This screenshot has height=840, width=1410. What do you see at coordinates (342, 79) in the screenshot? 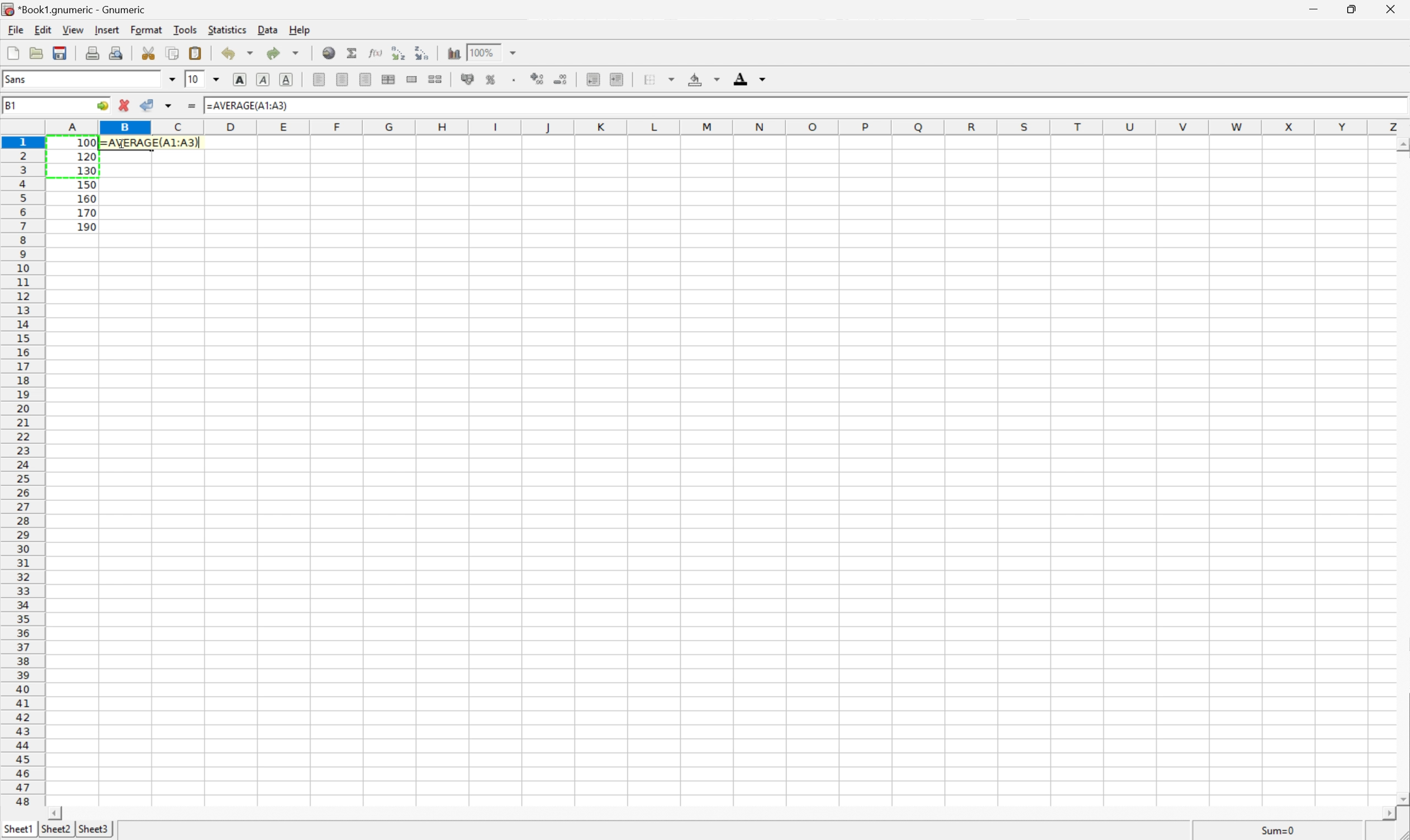
I see `Center horizontally` at bounding box center [342, 79].